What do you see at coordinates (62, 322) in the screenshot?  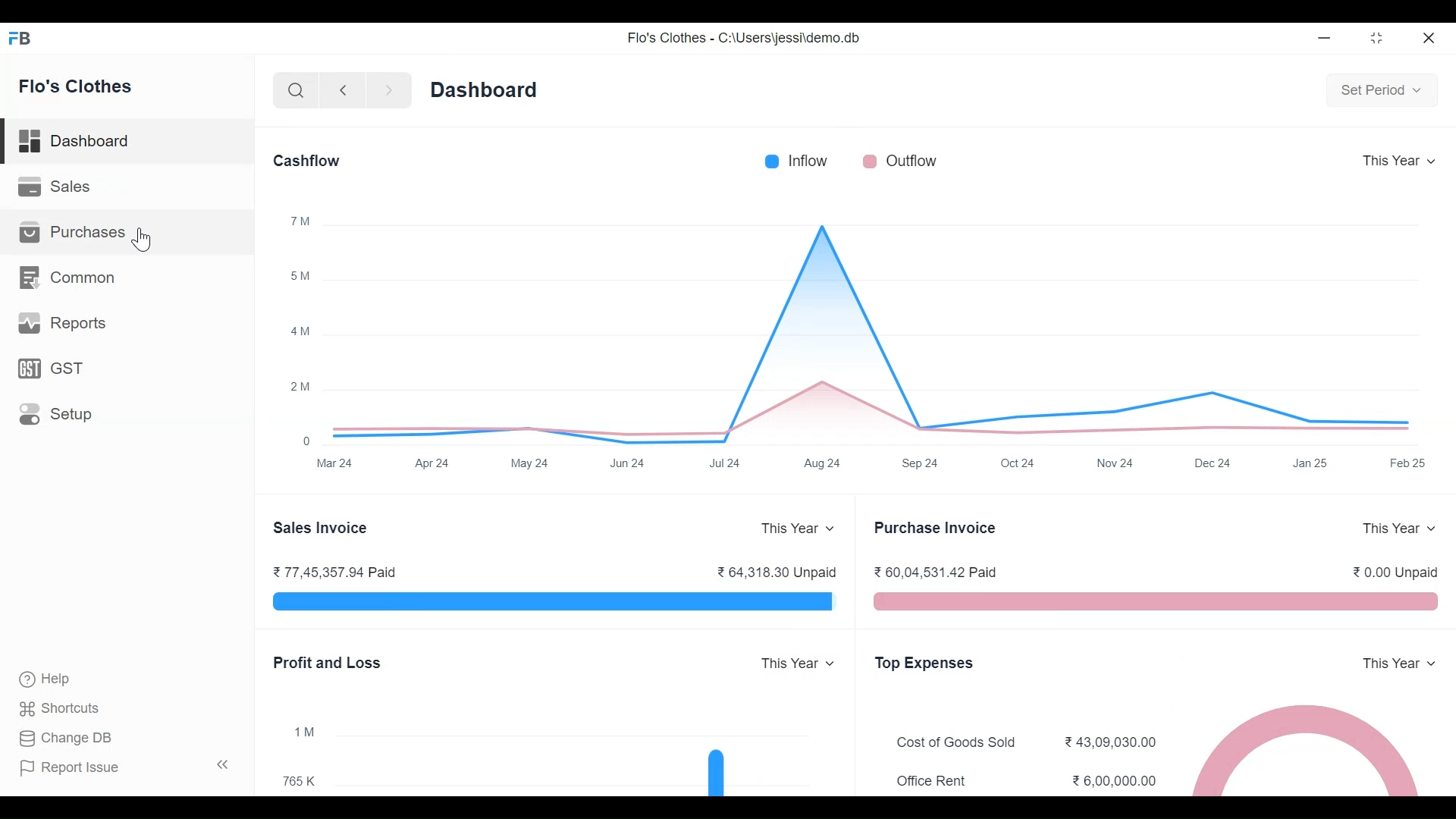 I see `Reports` at bounding box center [62, 322].